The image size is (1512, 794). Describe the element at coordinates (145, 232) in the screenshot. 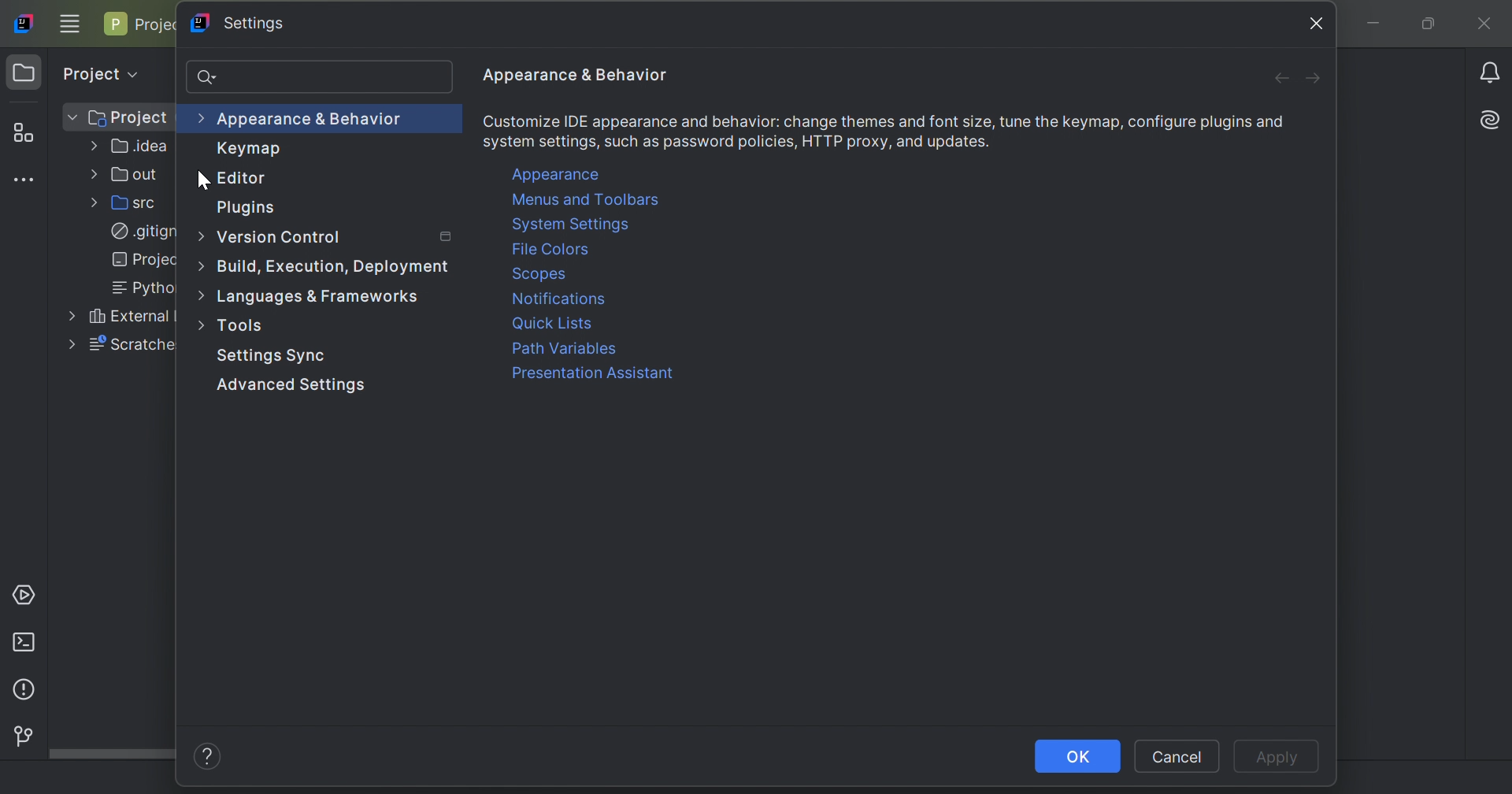

I see `.gitign` at that location.